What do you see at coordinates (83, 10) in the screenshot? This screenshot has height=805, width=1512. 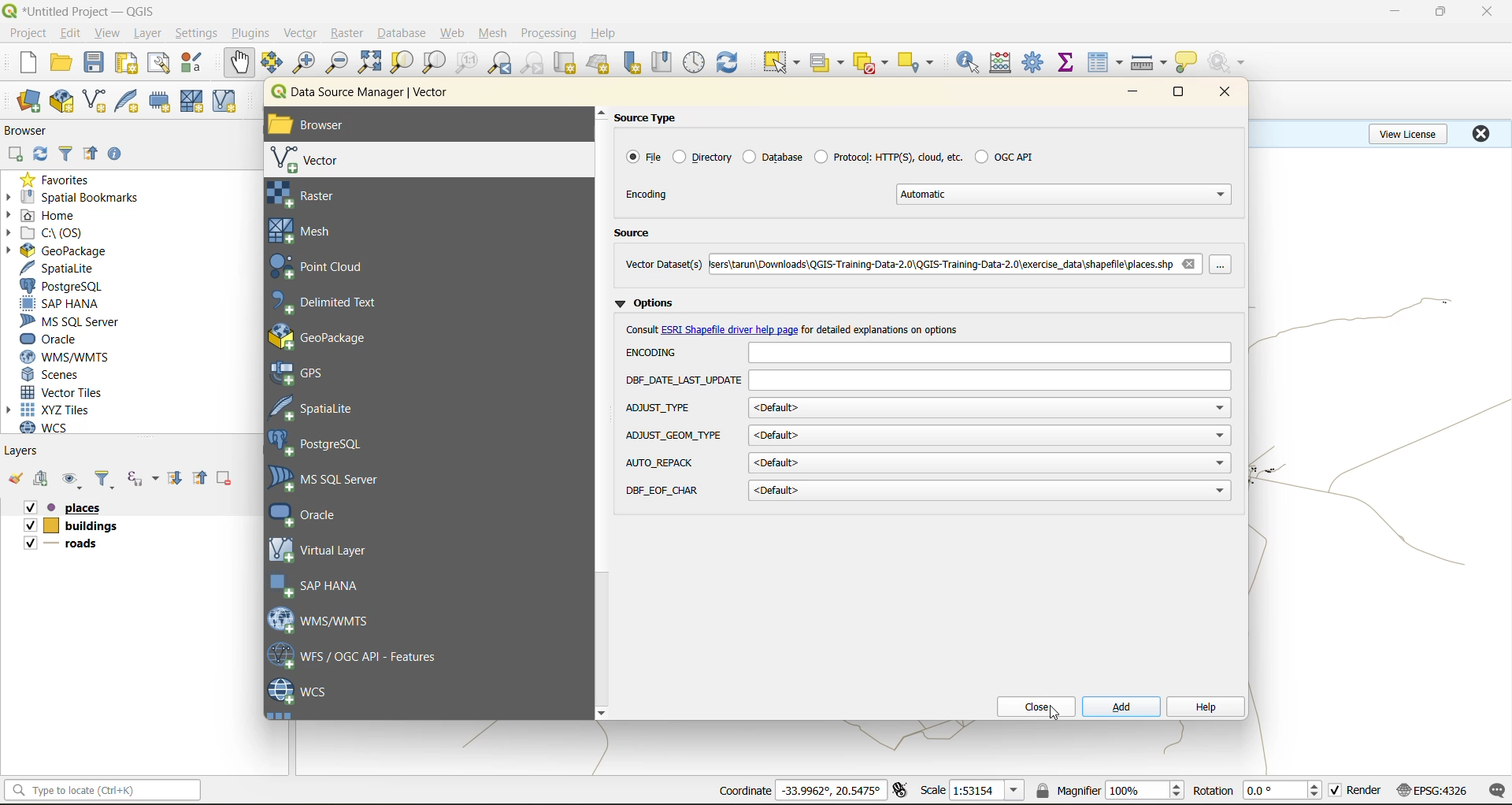 I see `file name and app name` at bounding box center [83, 10].